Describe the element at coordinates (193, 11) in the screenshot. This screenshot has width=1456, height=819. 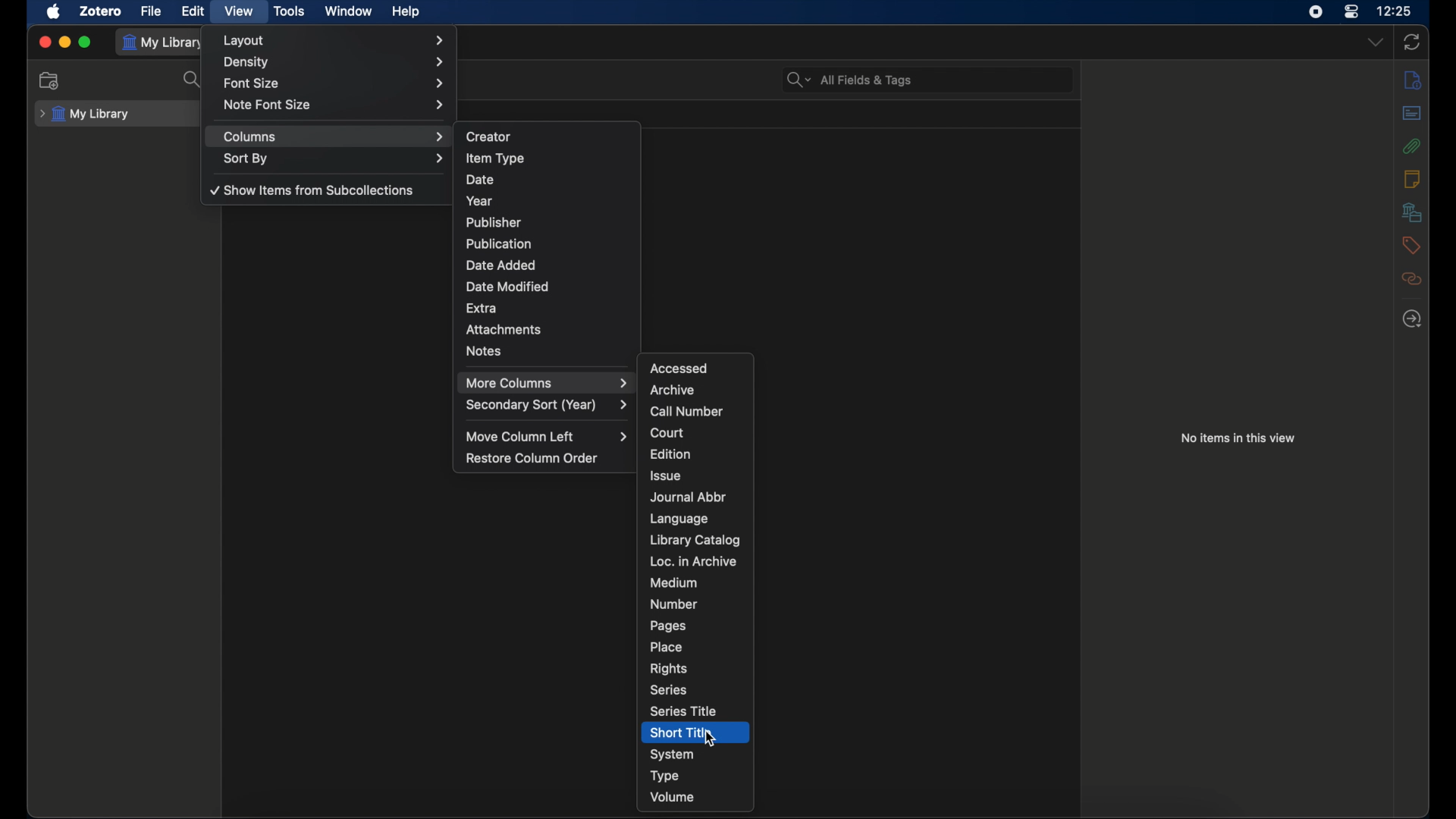
I see `edit` at that location.